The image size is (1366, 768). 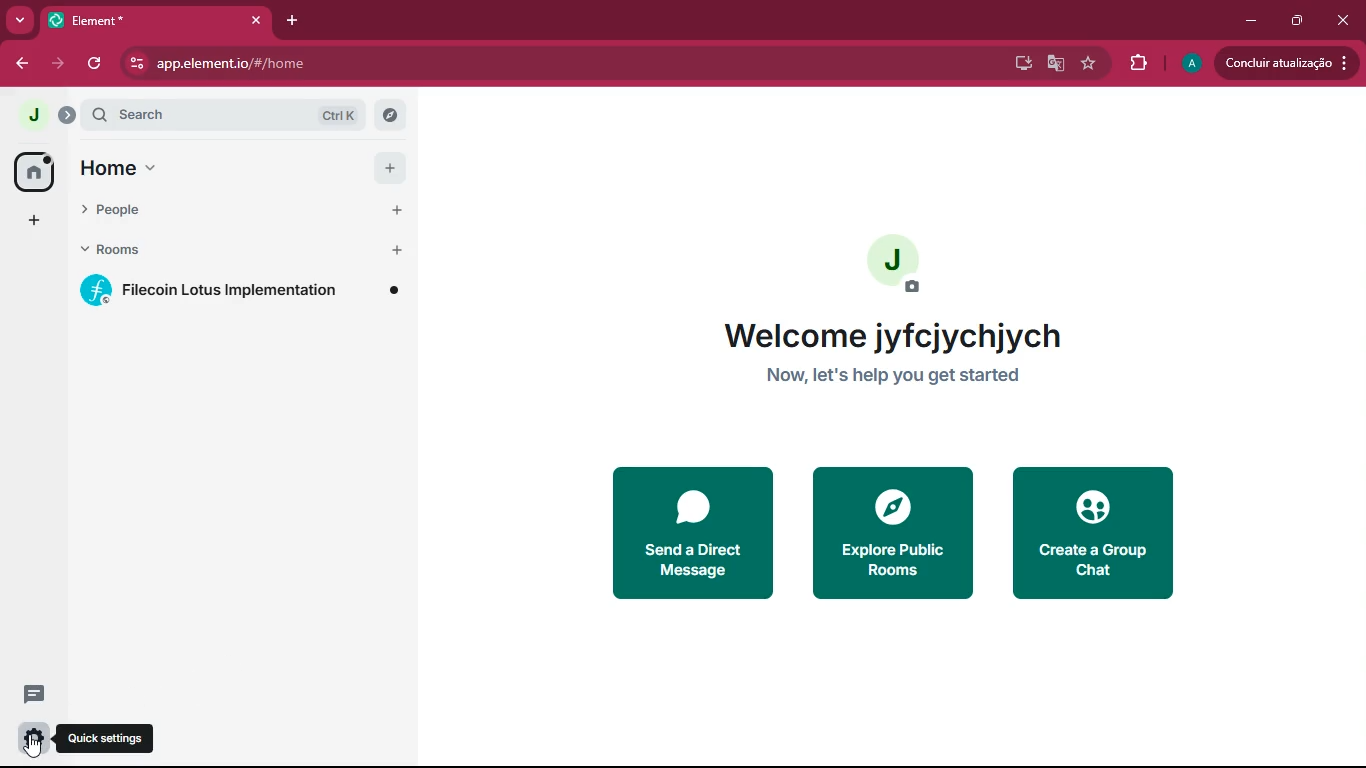 What do you see at coordinates (122, 166) in the screenshot?
I see `home` at bounding box center [122, 166].